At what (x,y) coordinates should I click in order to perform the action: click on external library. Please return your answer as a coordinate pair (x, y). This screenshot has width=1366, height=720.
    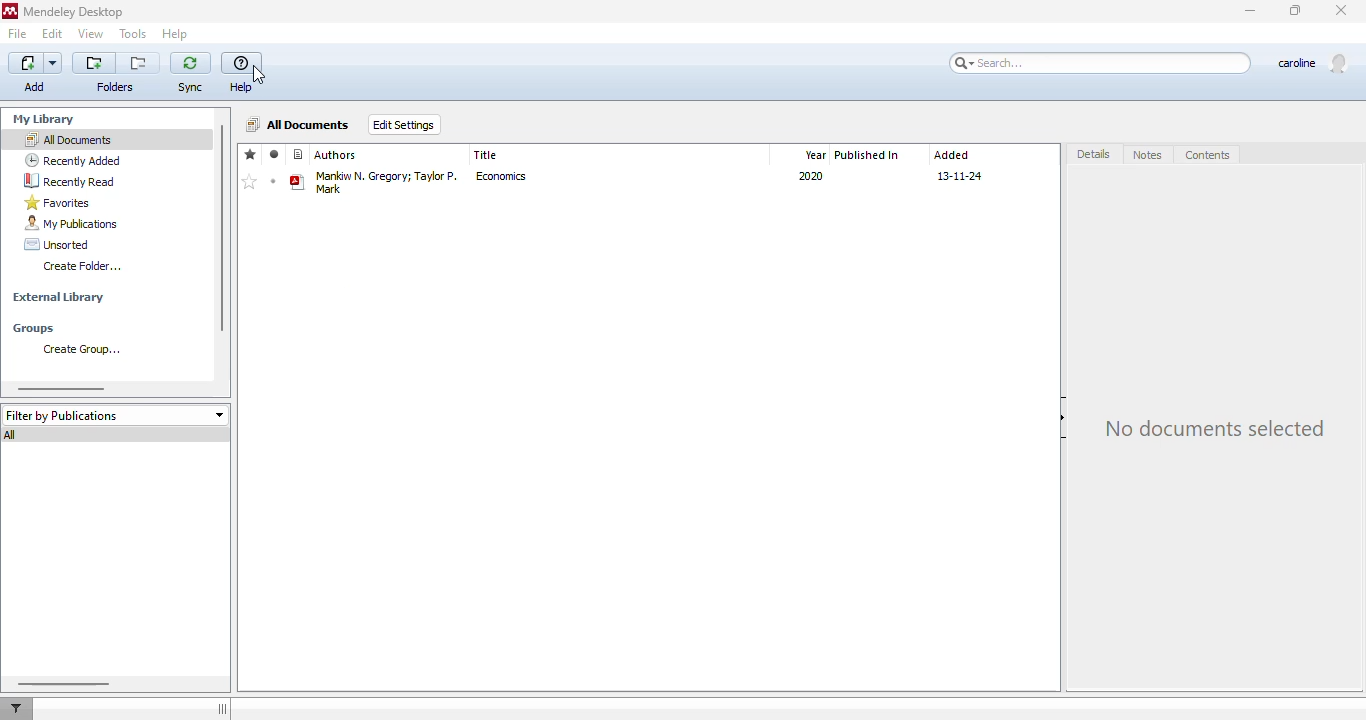
    Looking at the image, I should click on (59, 297).